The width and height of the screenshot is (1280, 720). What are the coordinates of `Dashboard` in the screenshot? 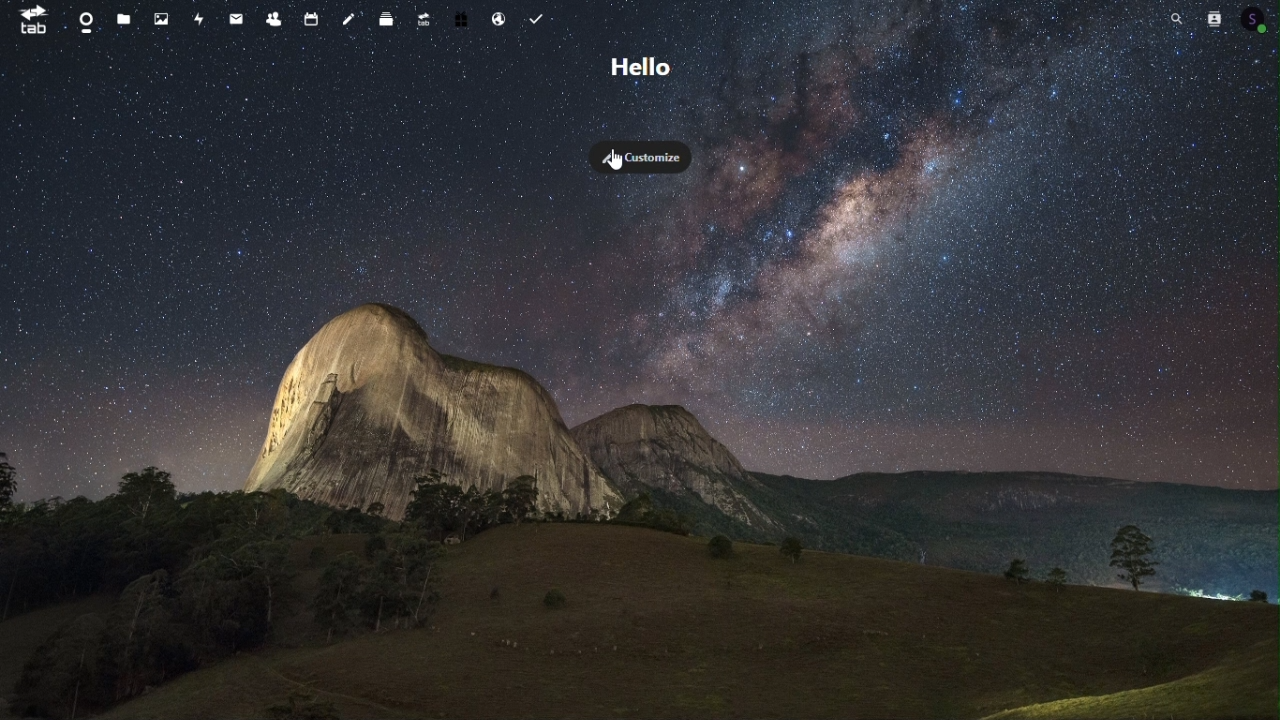 It's located at (83, 21).